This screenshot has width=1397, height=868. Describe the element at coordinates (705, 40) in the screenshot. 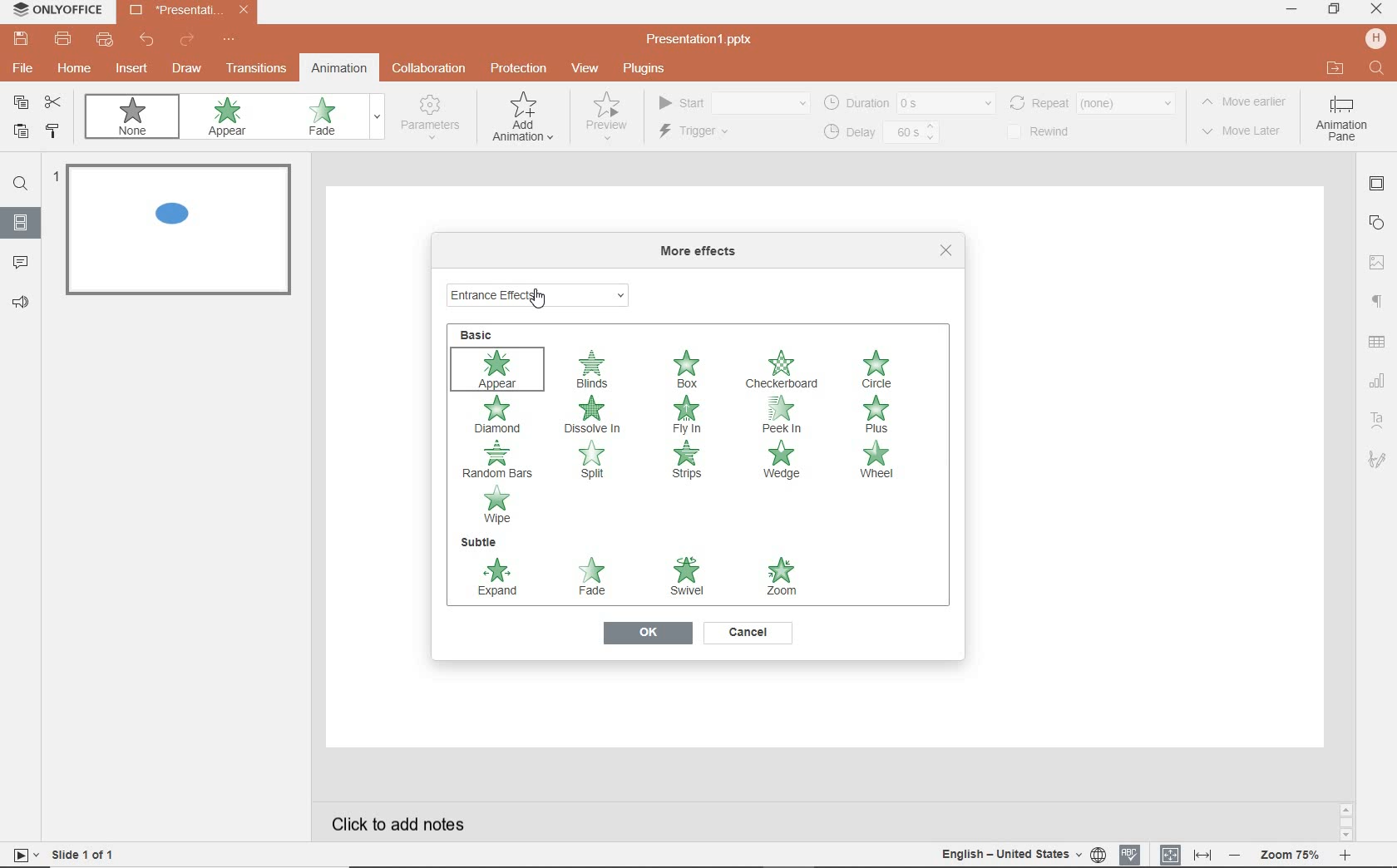

I see `file name` at that location.